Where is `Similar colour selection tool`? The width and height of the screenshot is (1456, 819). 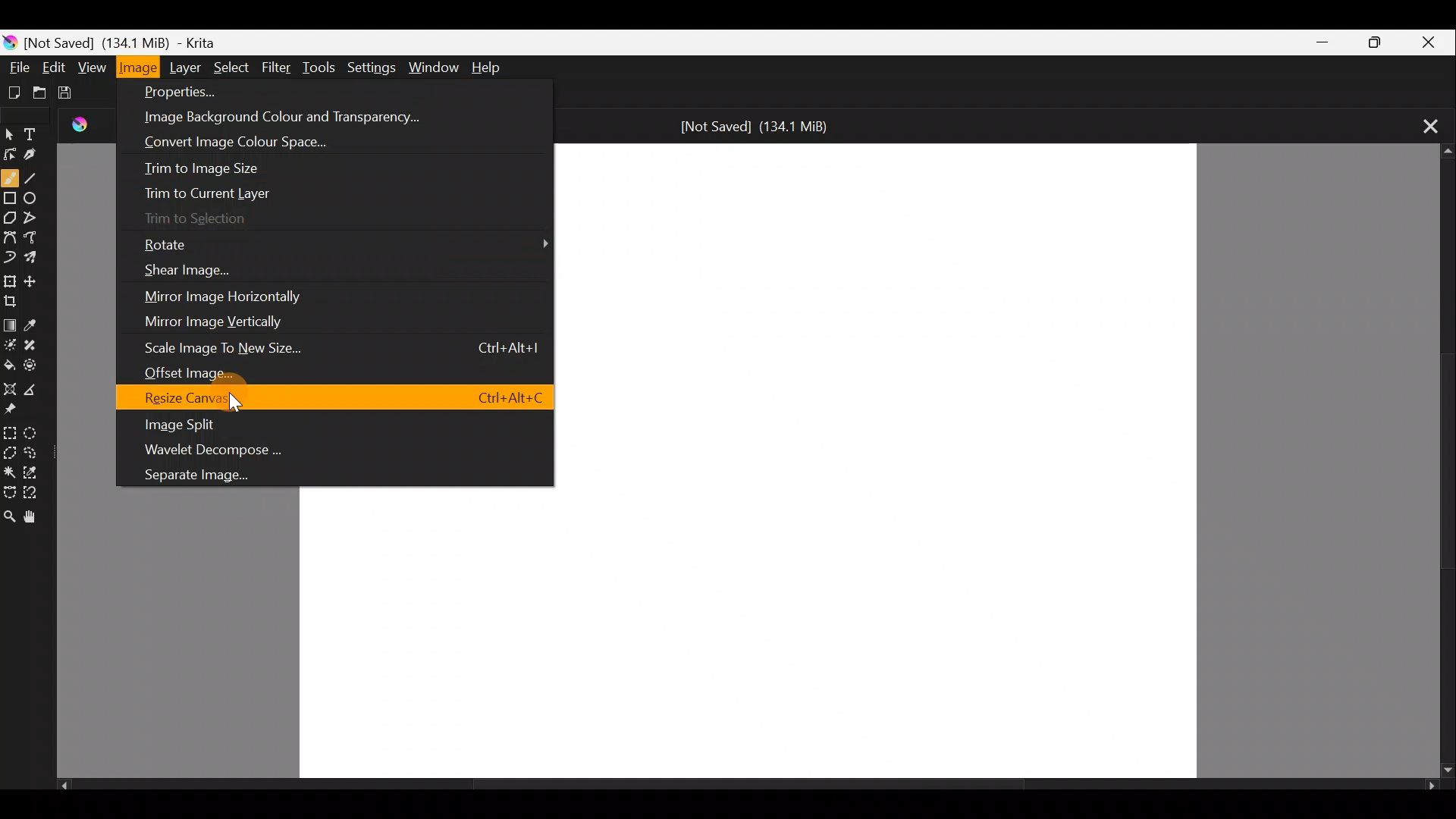 Similar colour selection tool is located at coordinates (37, 474).